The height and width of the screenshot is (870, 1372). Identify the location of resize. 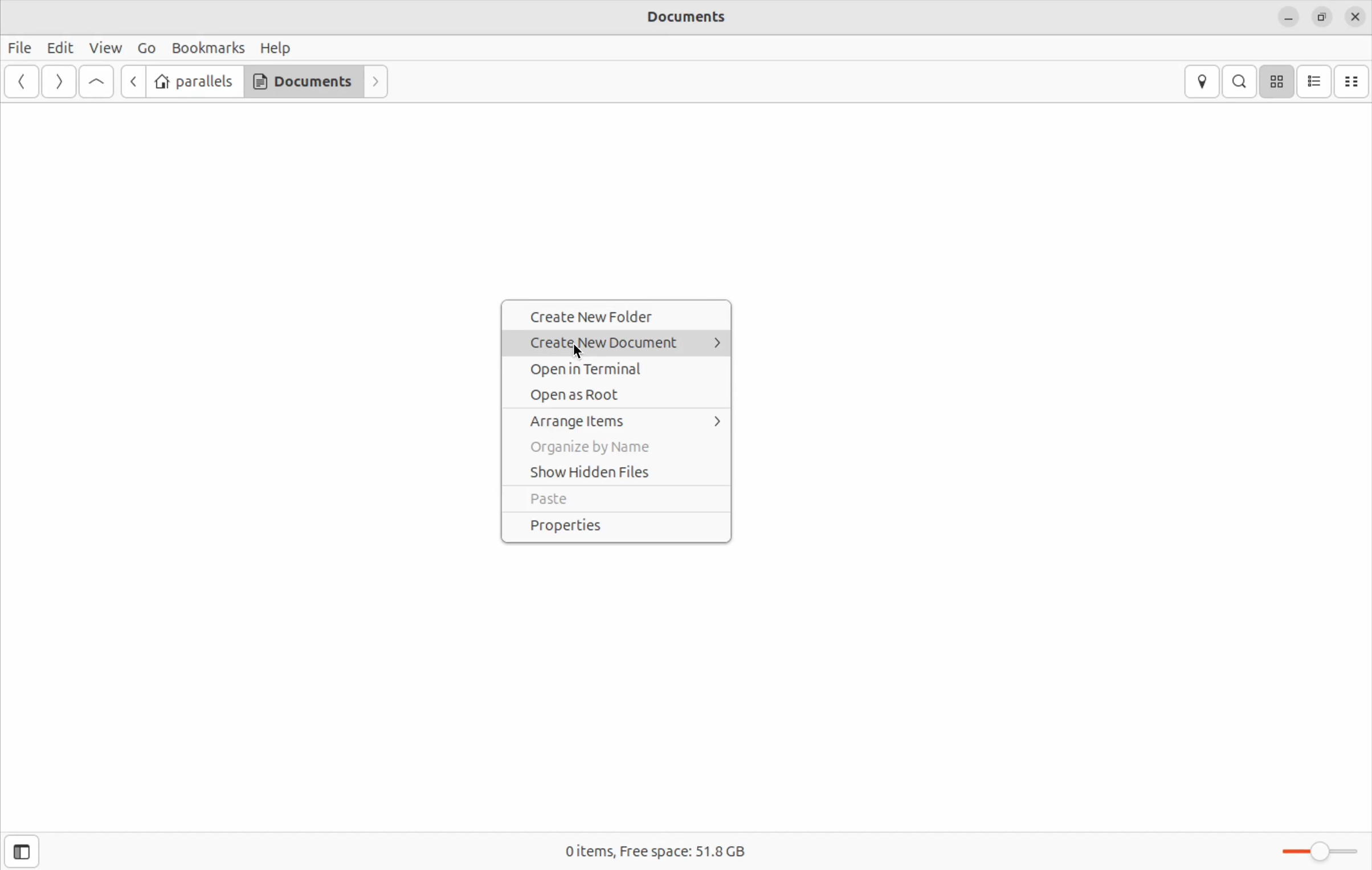
(1320, 16).